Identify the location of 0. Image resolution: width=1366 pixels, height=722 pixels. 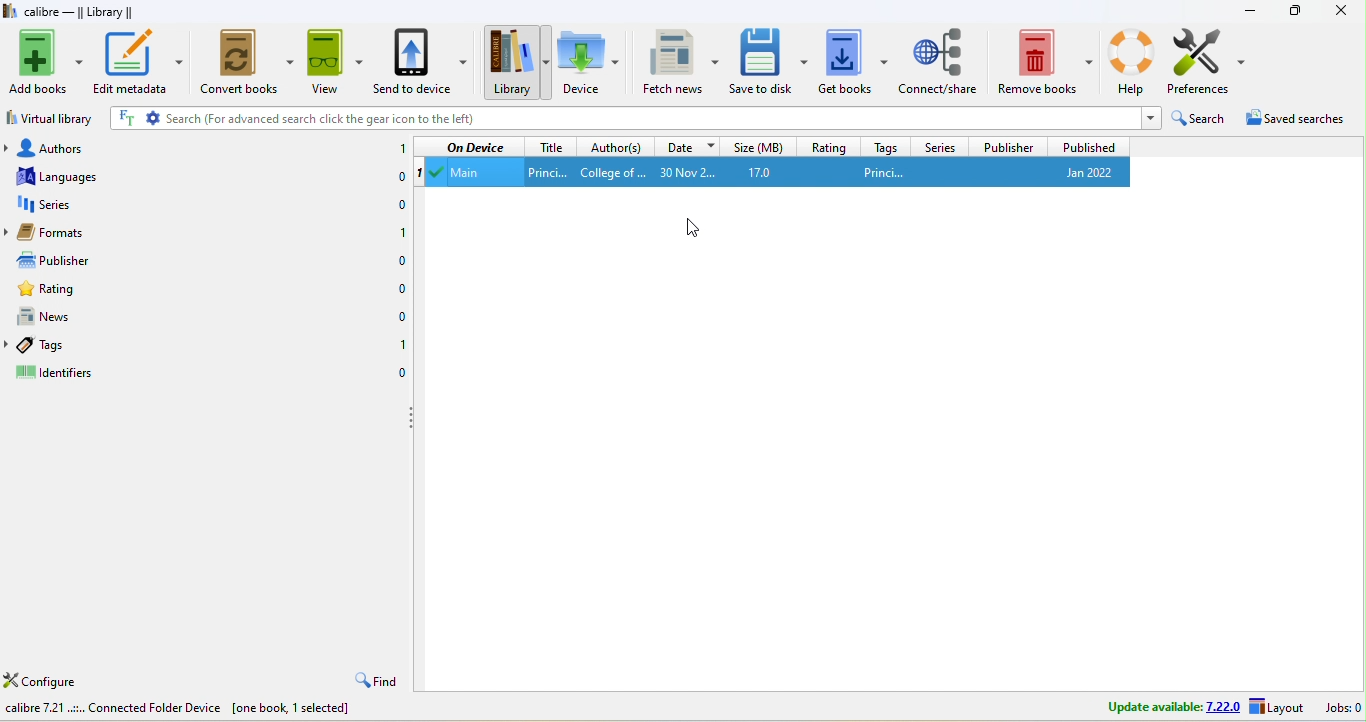
(399, 317).